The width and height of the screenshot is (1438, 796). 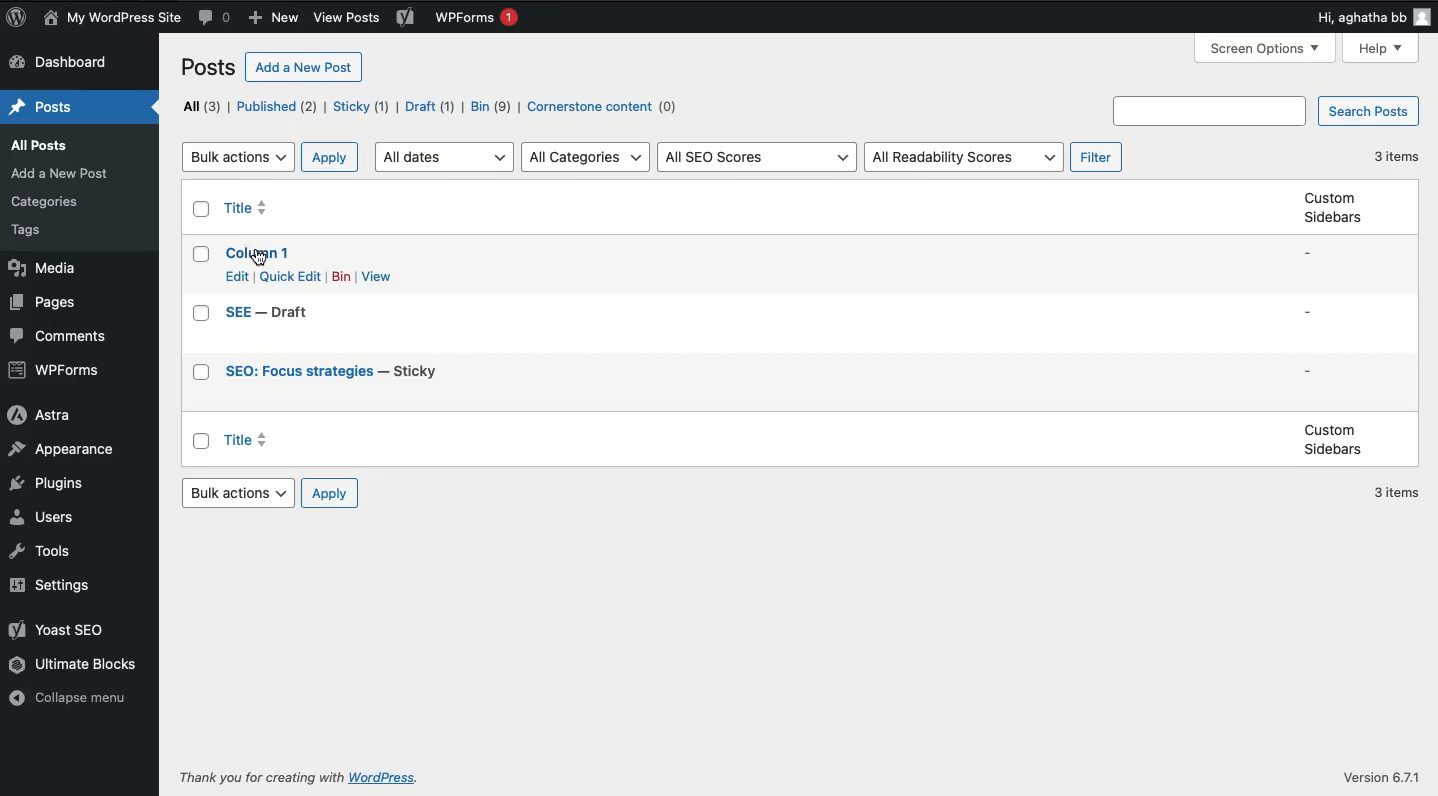 I want to click on Collapse menu, so click(x=71, y=698).